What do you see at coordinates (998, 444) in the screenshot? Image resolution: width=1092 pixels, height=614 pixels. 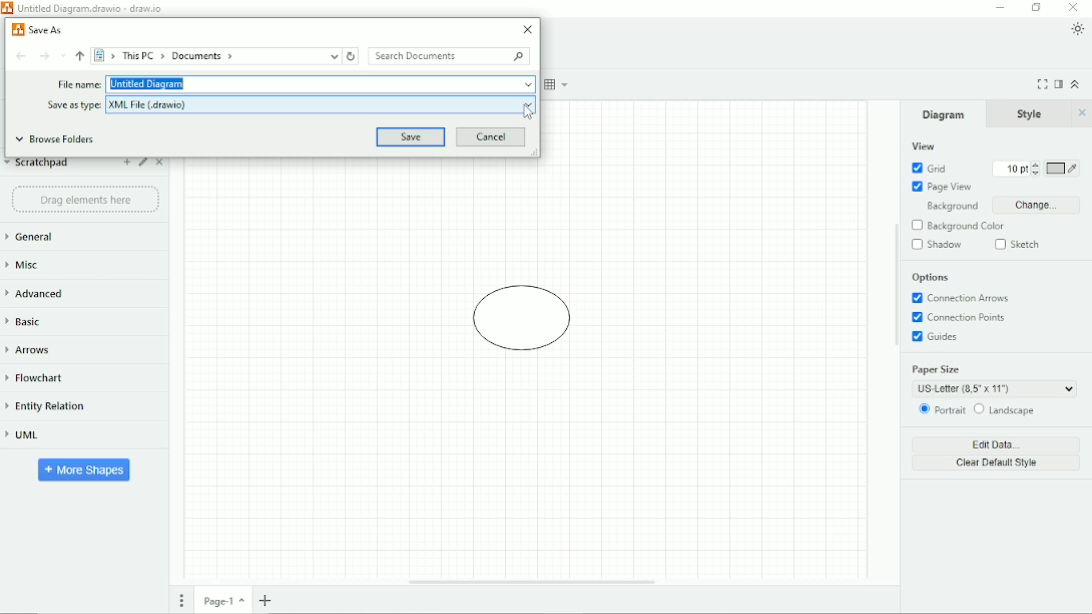 I see `Edit Data` at bounding box center [998, 444].